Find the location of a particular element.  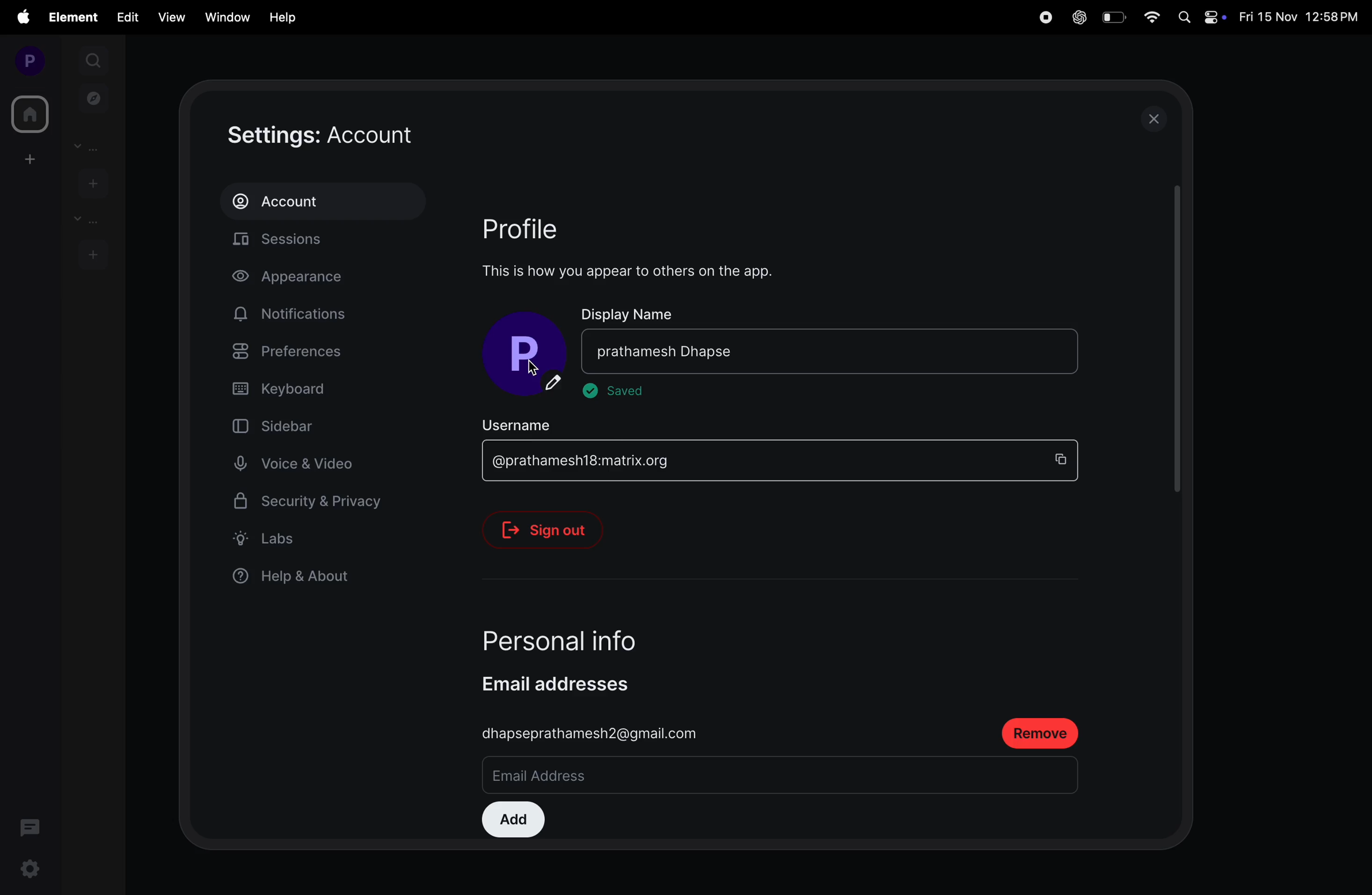

wifi is located at coordinates (1153, 18).